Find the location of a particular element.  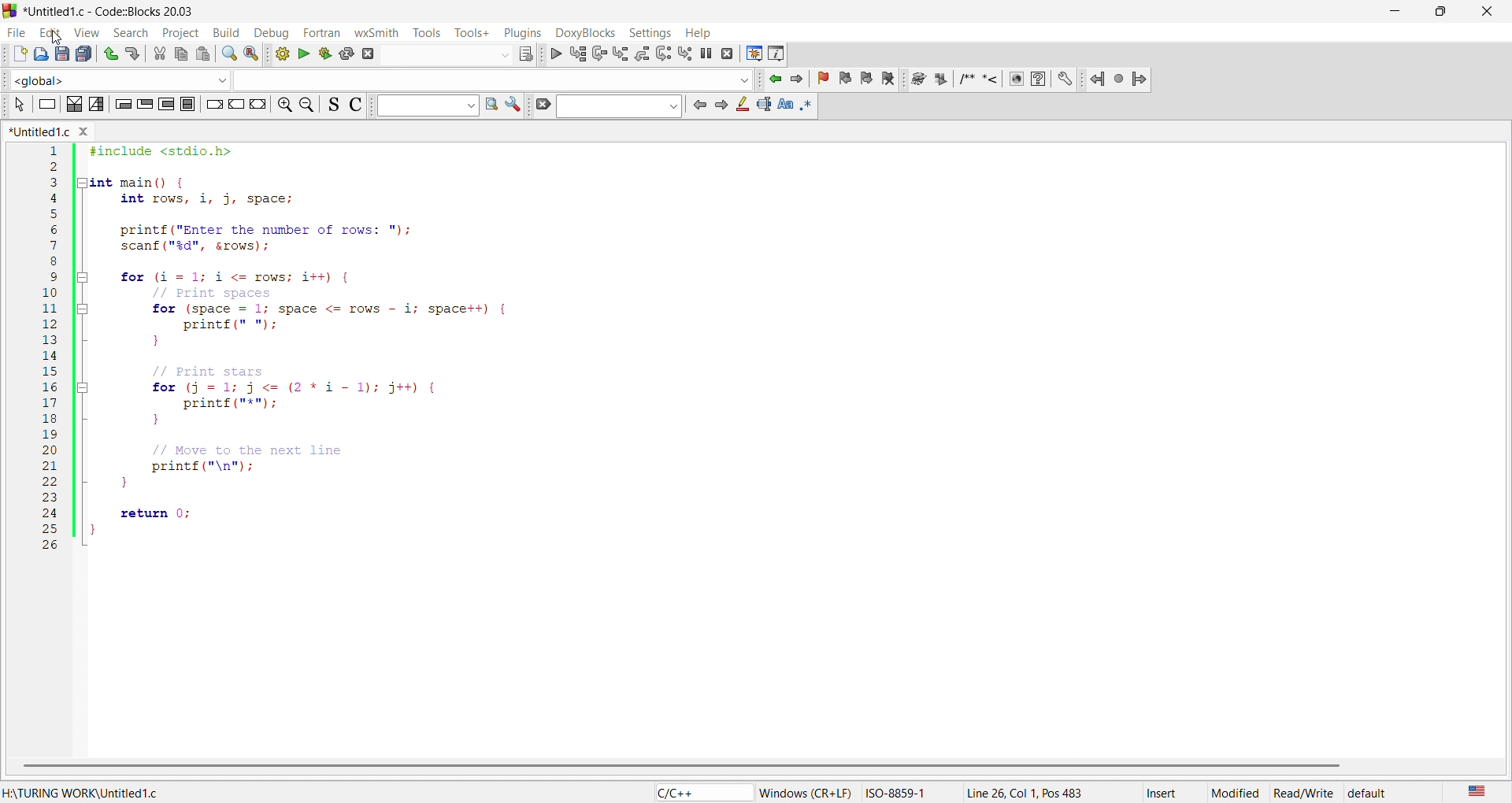

new file is located at coordinates (14, 54).